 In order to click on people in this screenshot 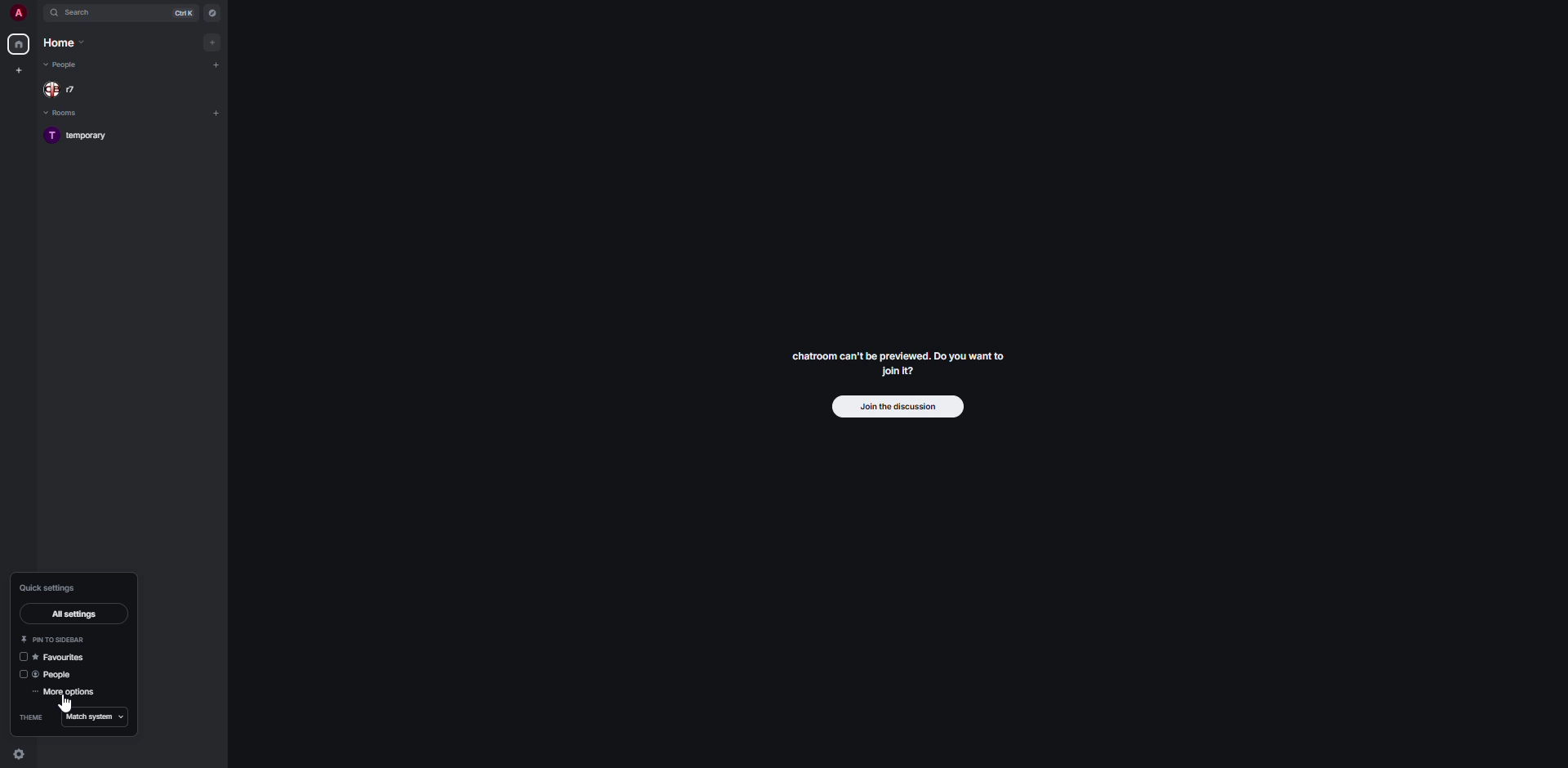, I will do `click(49, 673)`.